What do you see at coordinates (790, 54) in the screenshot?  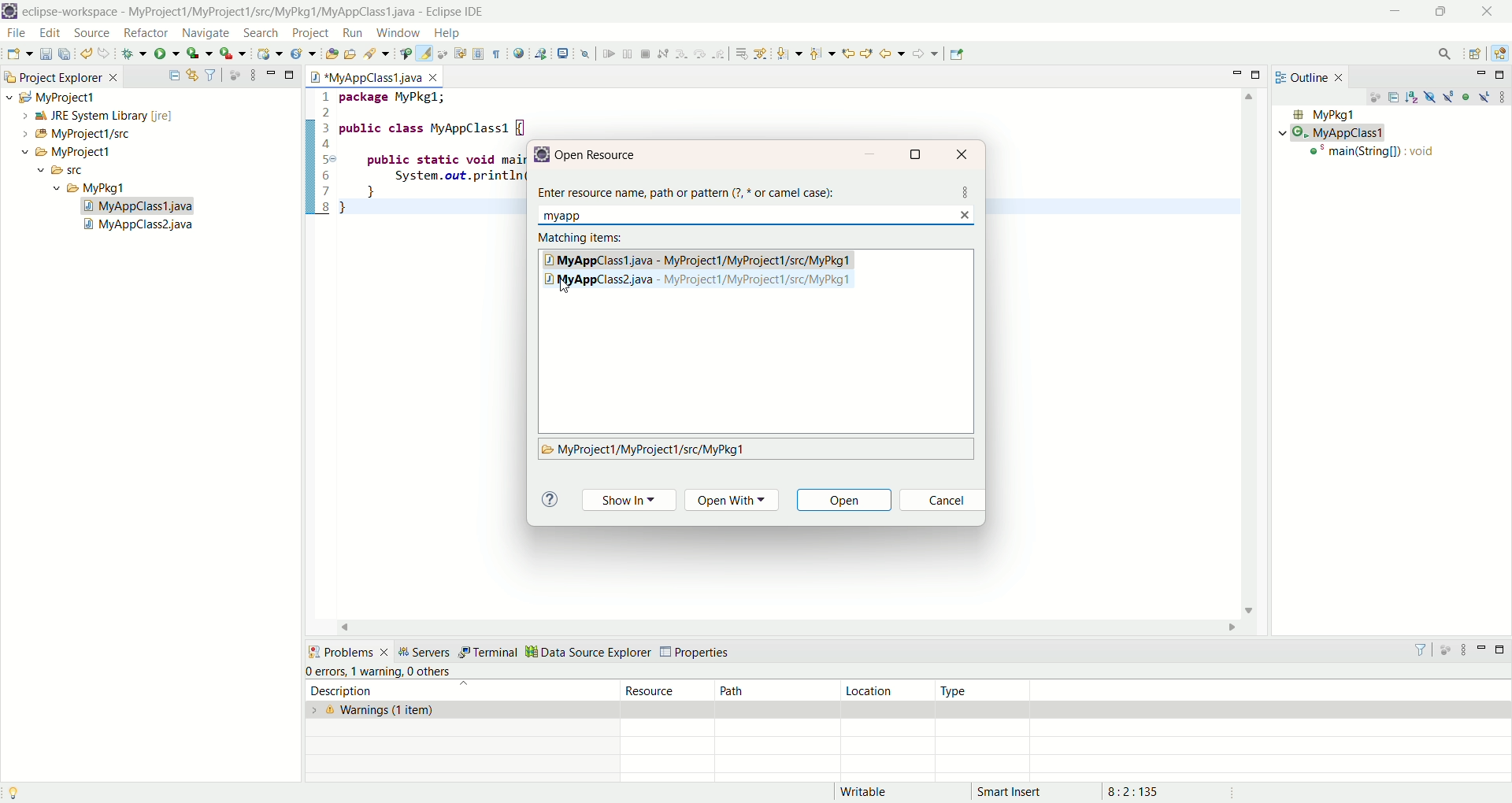 I see `next annotation` at bounding box center [790, 54].